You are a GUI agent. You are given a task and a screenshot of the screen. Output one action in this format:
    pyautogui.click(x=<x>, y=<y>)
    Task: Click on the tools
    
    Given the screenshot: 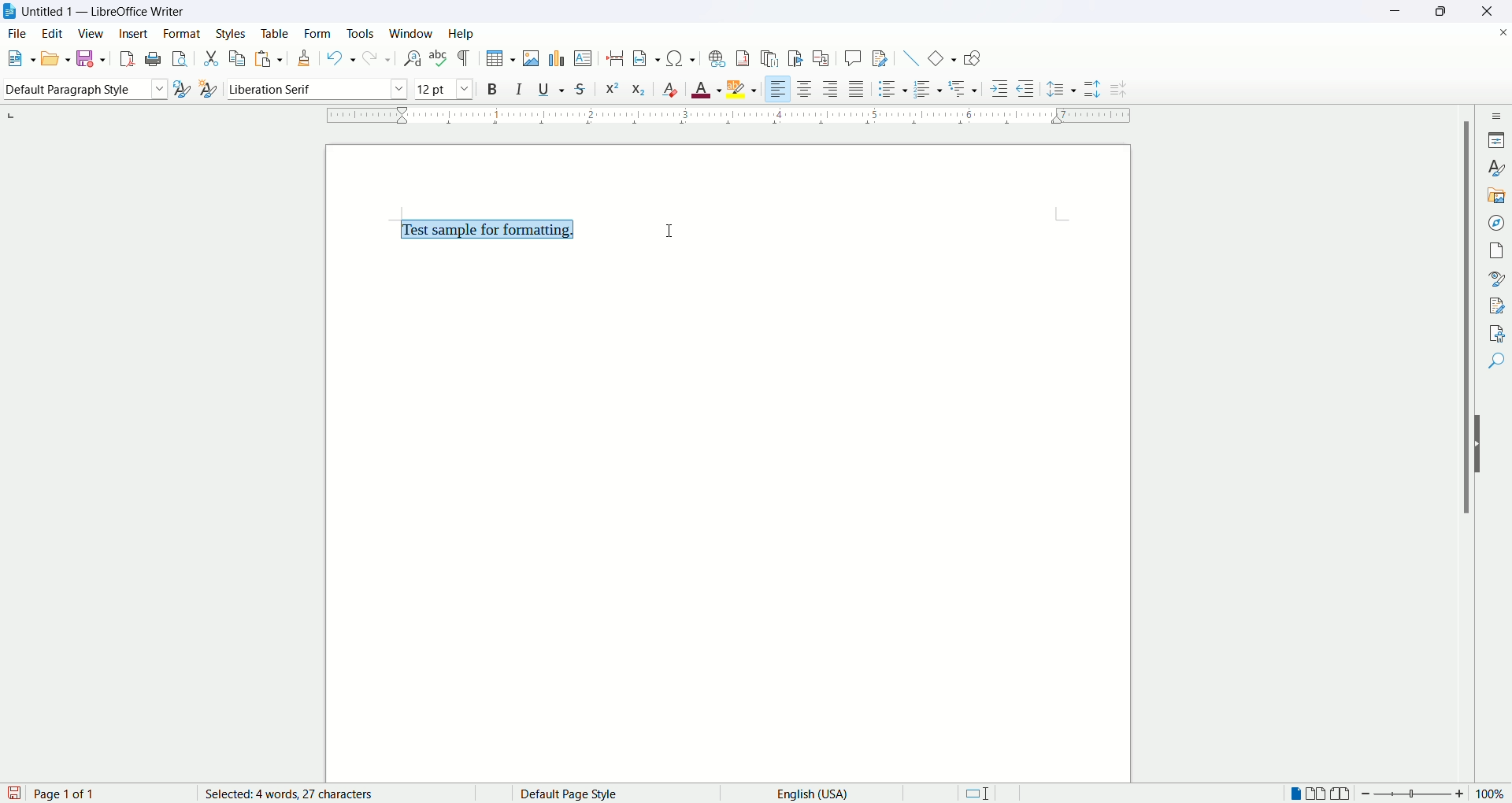 What is the action you would take?
    pyautogui.click(x=361, y=33)
    